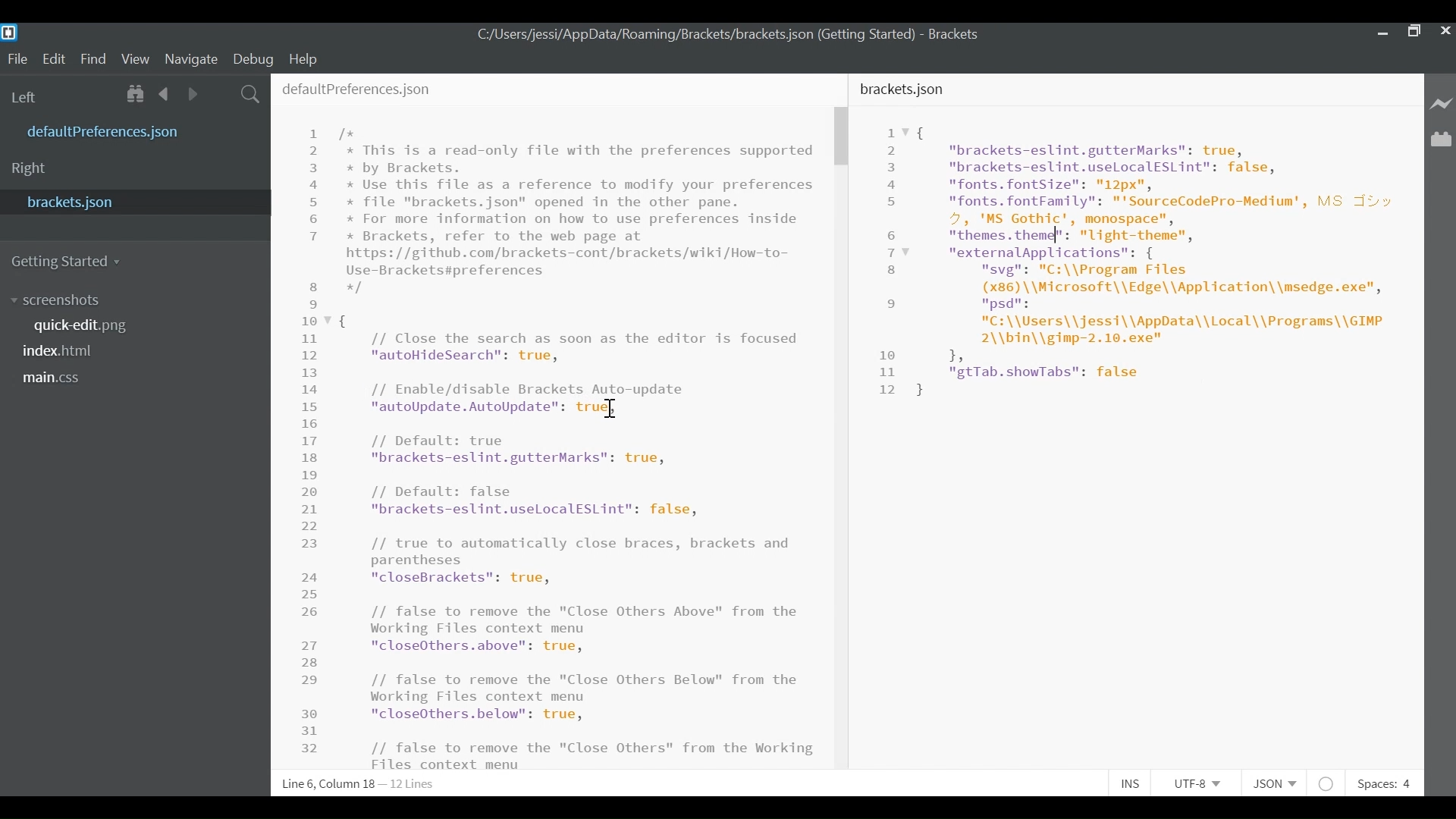  Describe the element at coordinates (733, 35) in the screenshot. I see `bracket.json File Path- Brackets` at that location.